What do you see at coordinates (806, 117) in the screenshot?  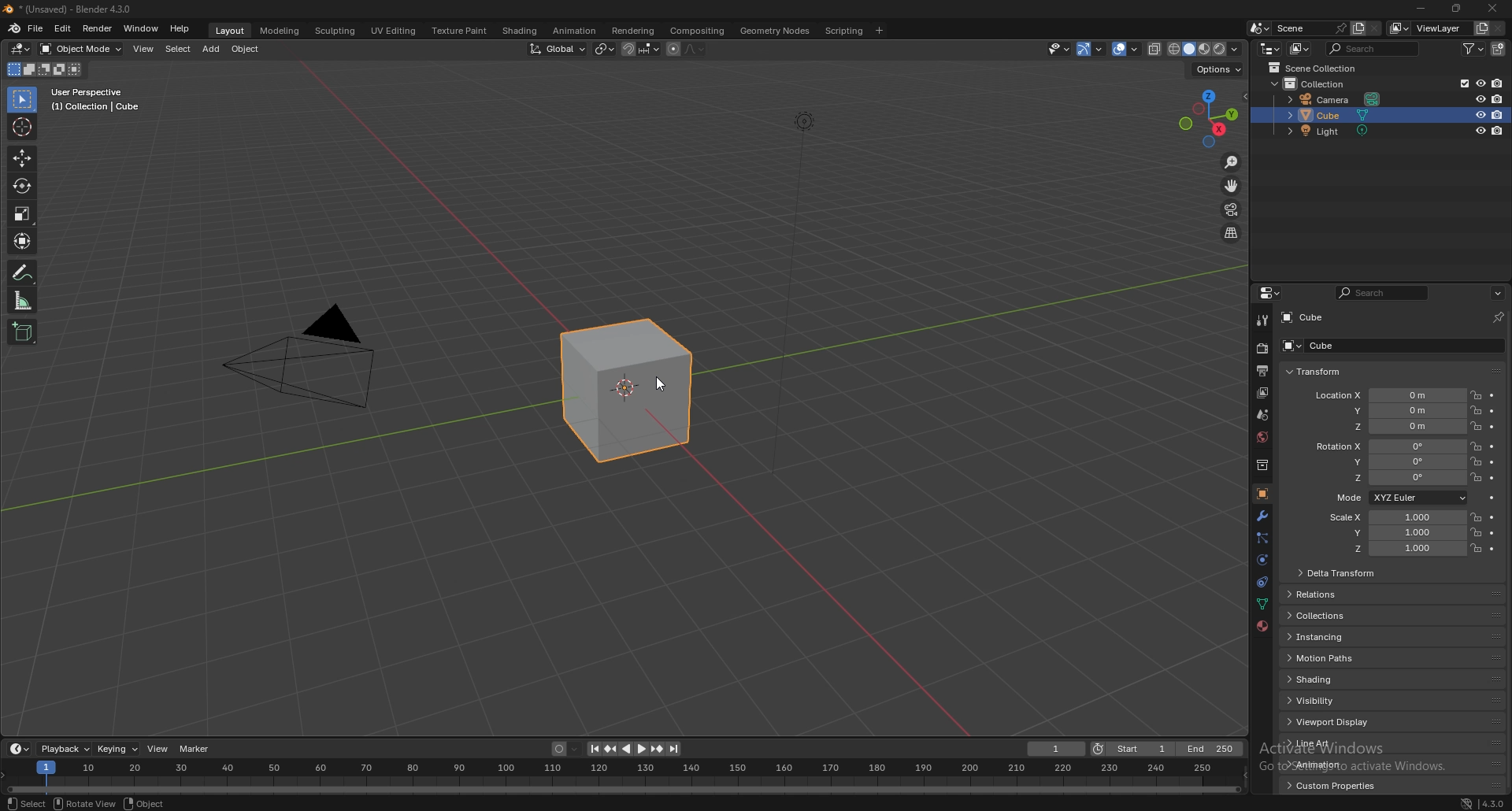 I see `lighting` at bounding box center [806, 117].